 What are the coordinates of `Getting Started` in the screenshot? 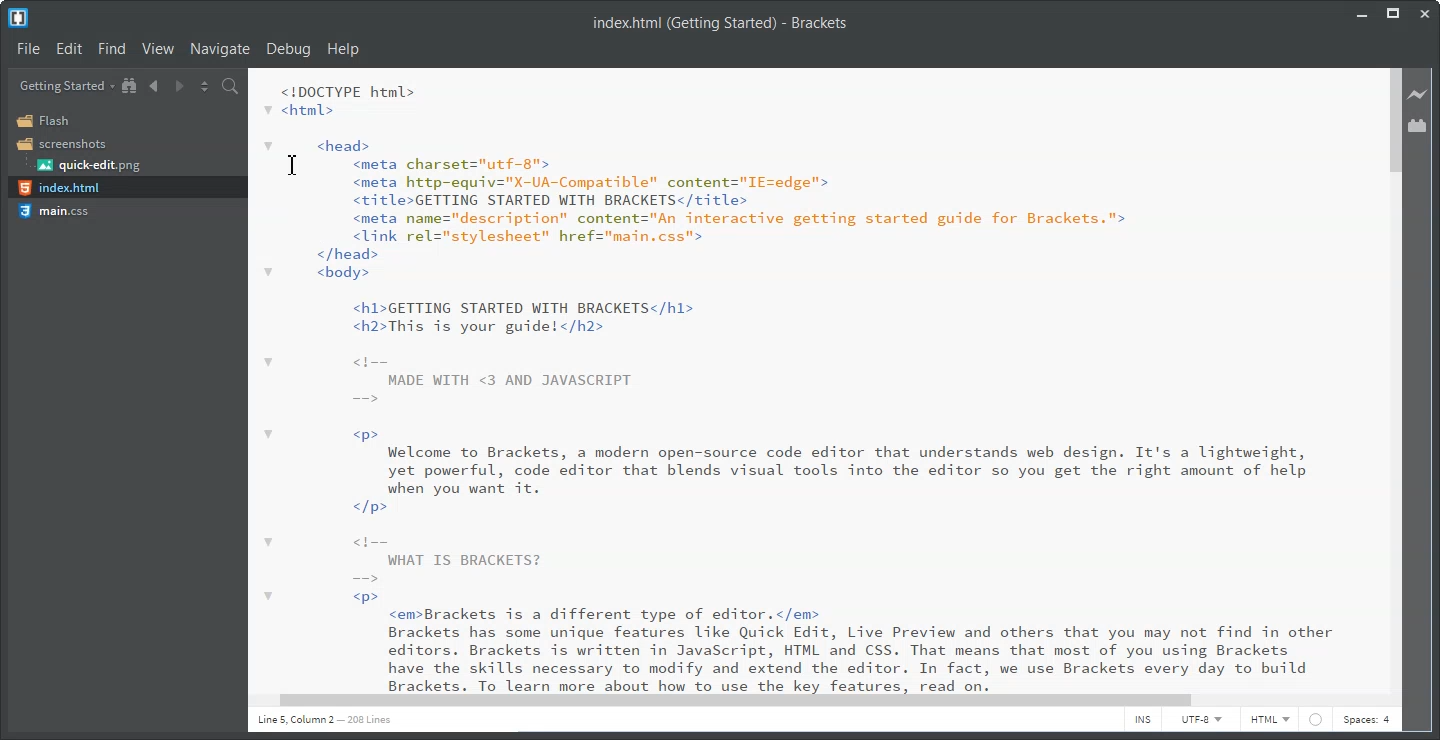 It's located at (67, 85).